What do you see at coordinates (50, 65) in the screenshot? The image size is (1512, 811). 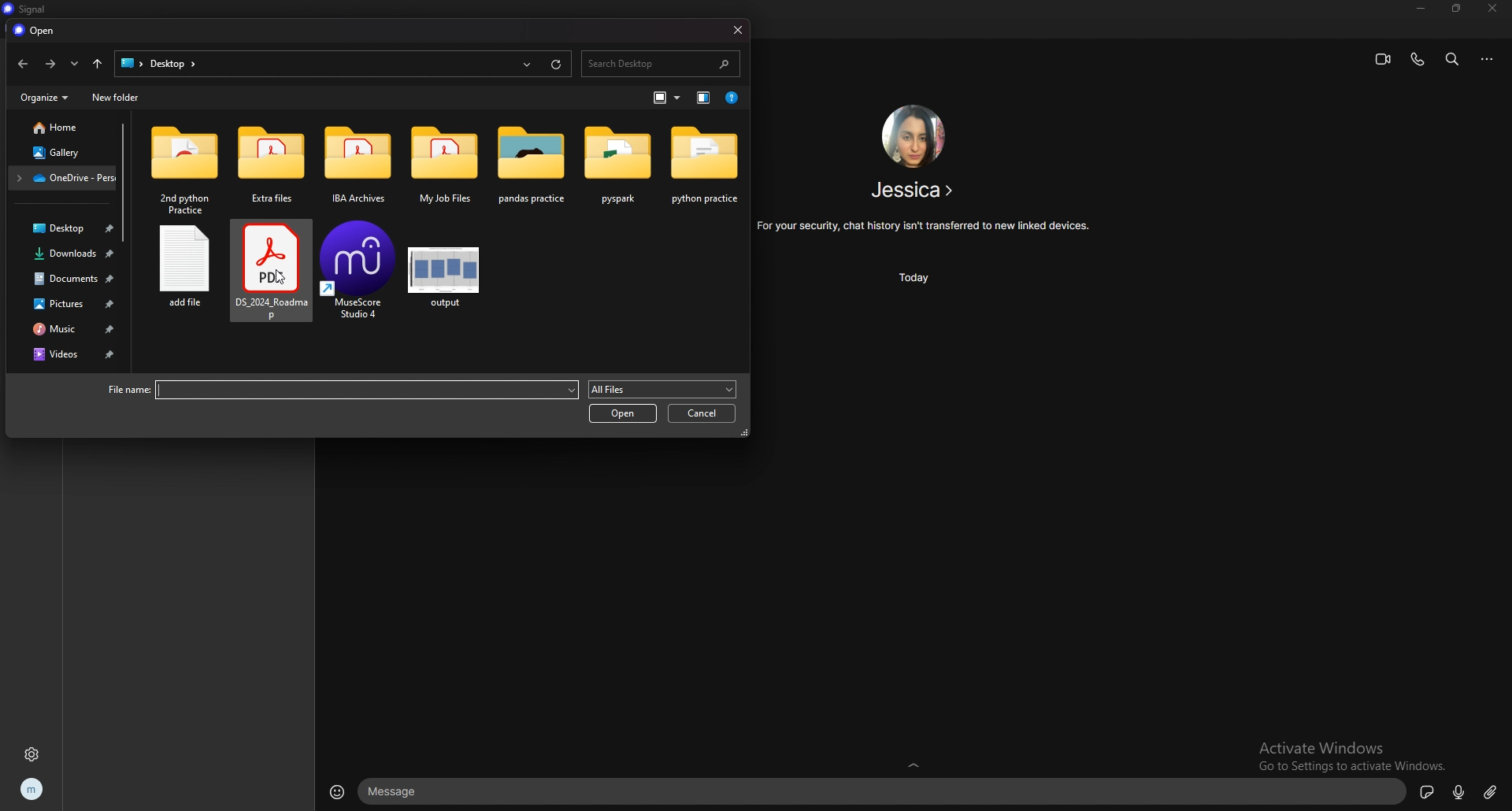 I see `forward` at bounding box center [50, 65].